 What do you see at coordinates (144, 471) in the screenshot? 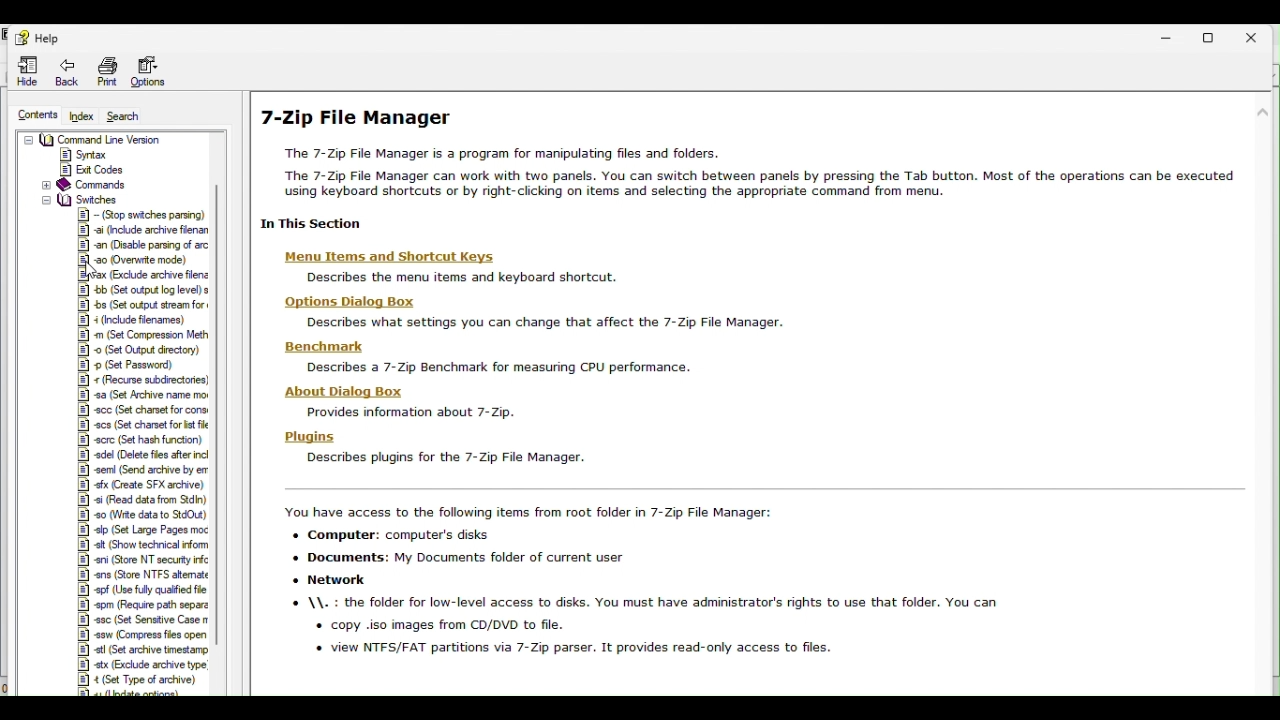
I see `5] semi (Send archive by er` at bounding box center [144, 471].